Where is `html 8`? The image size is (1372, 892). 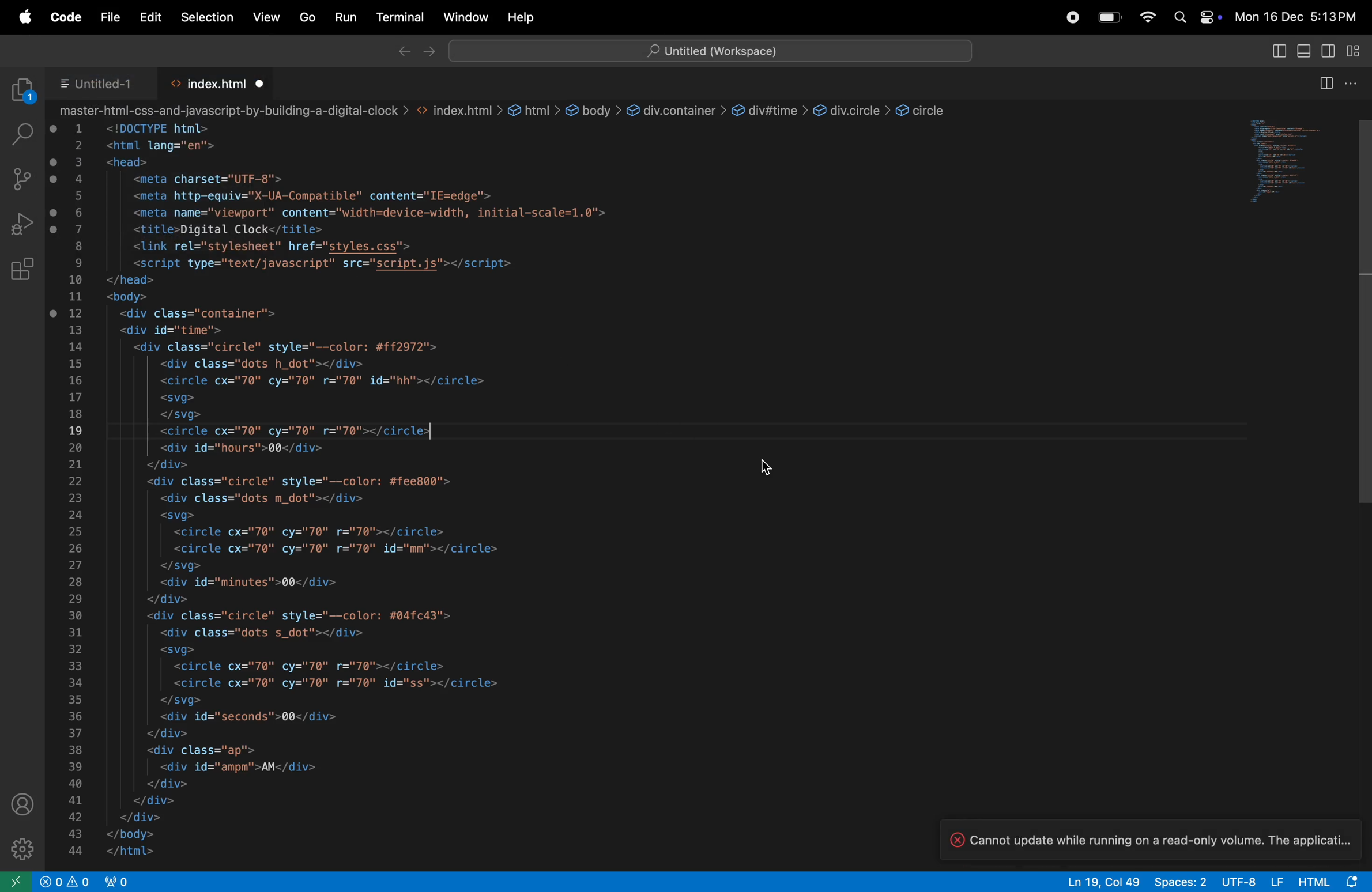 html 8 is located at coordinates (1328, 881).